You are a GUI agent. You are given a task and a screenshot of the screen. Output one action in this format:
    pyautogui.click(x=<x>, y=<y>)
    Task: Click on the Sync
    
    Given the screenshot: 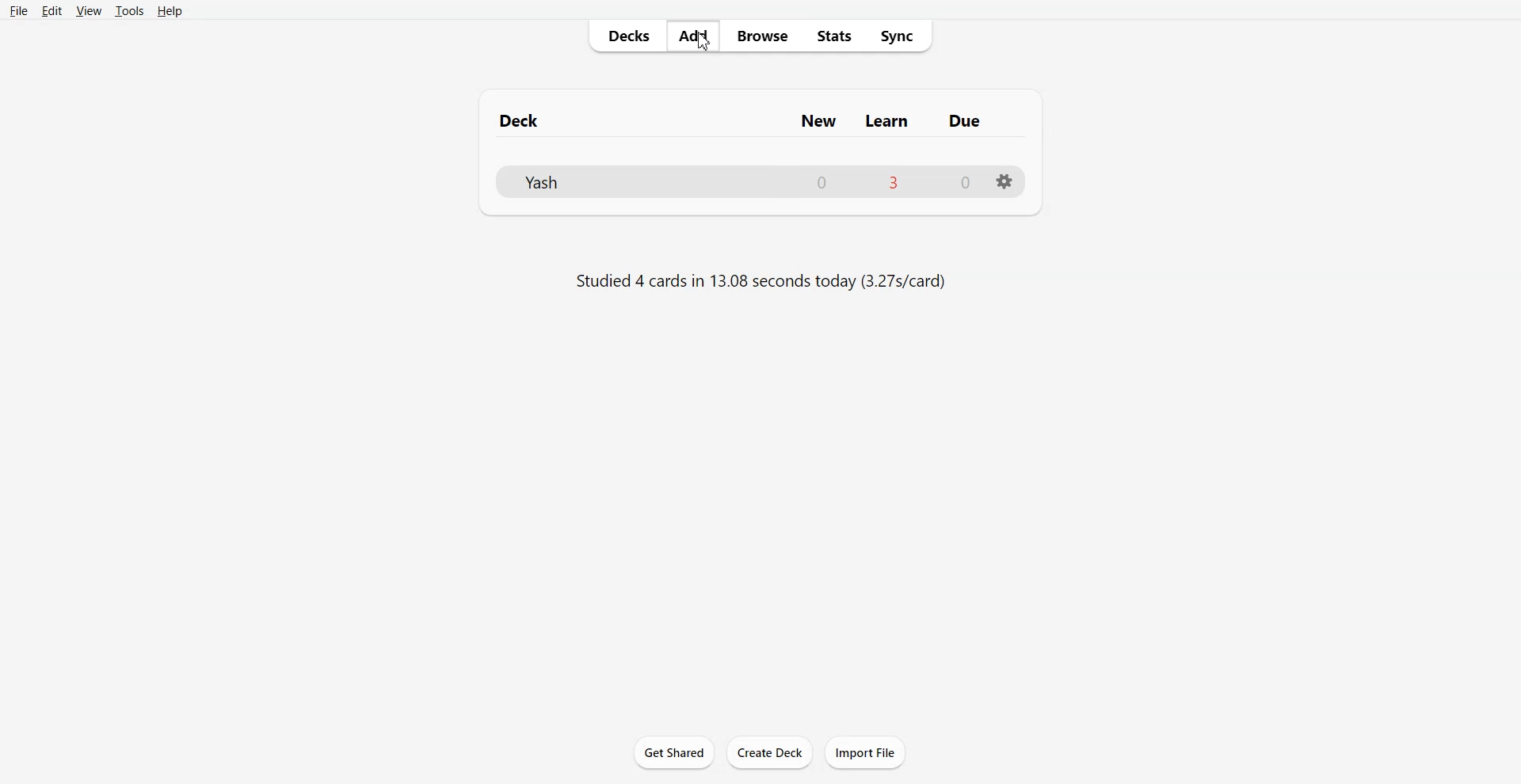 What is the action you would take?
    pyautogui.click(x=898, y=36)
    